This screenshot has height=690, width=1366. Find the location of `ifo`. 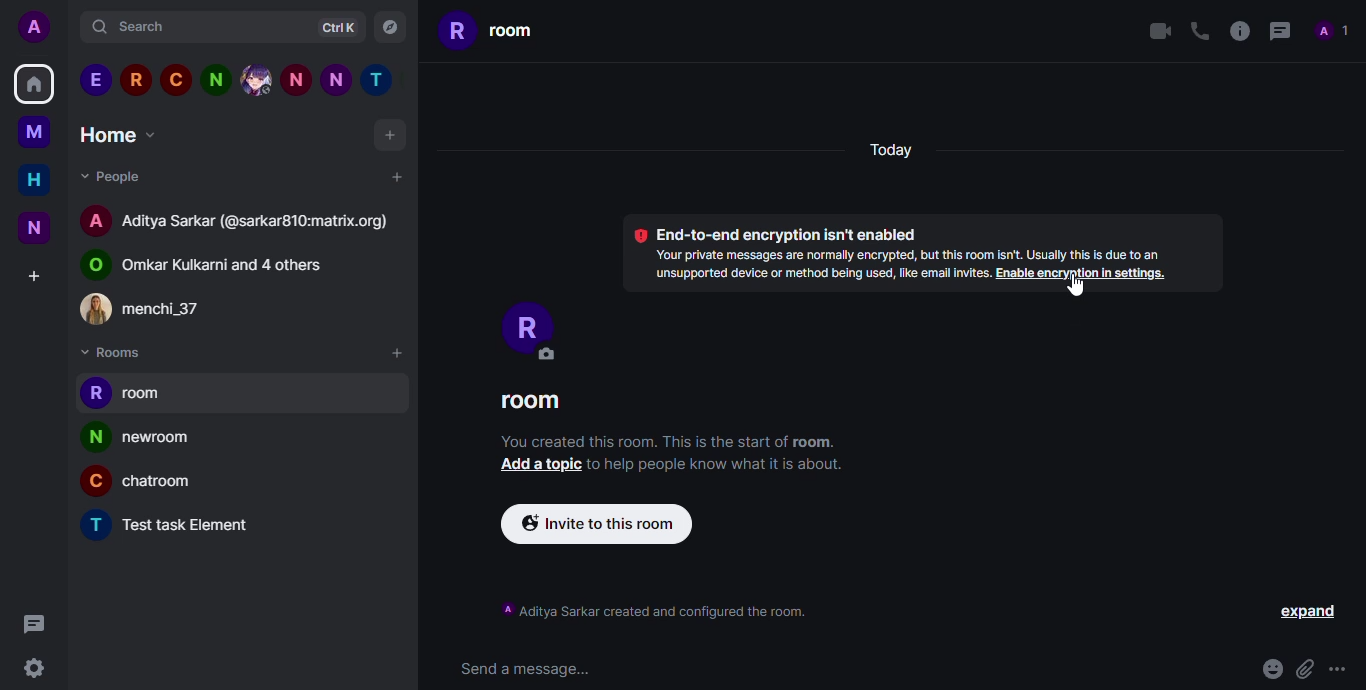

ifo is located at coordinates (667, 441).